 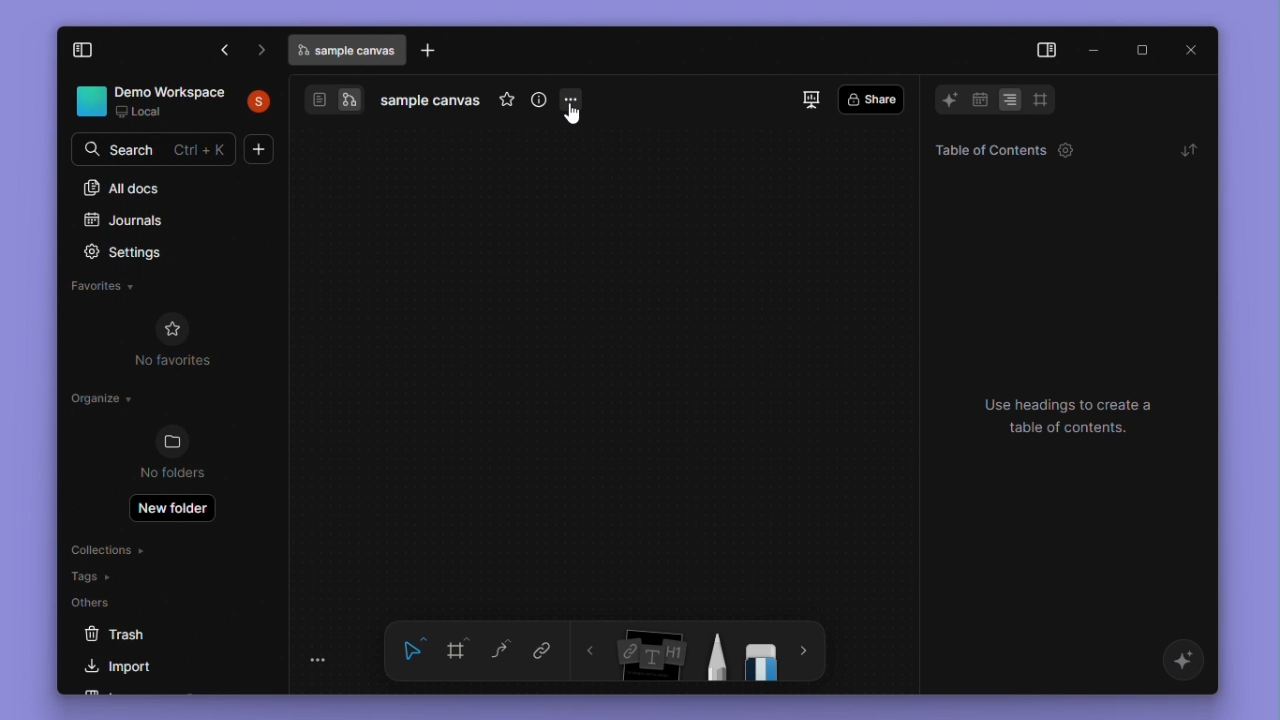 What do you see at coordinates (870, 100) in the screenshot?
I see `share` at bounding box center [870, 100].